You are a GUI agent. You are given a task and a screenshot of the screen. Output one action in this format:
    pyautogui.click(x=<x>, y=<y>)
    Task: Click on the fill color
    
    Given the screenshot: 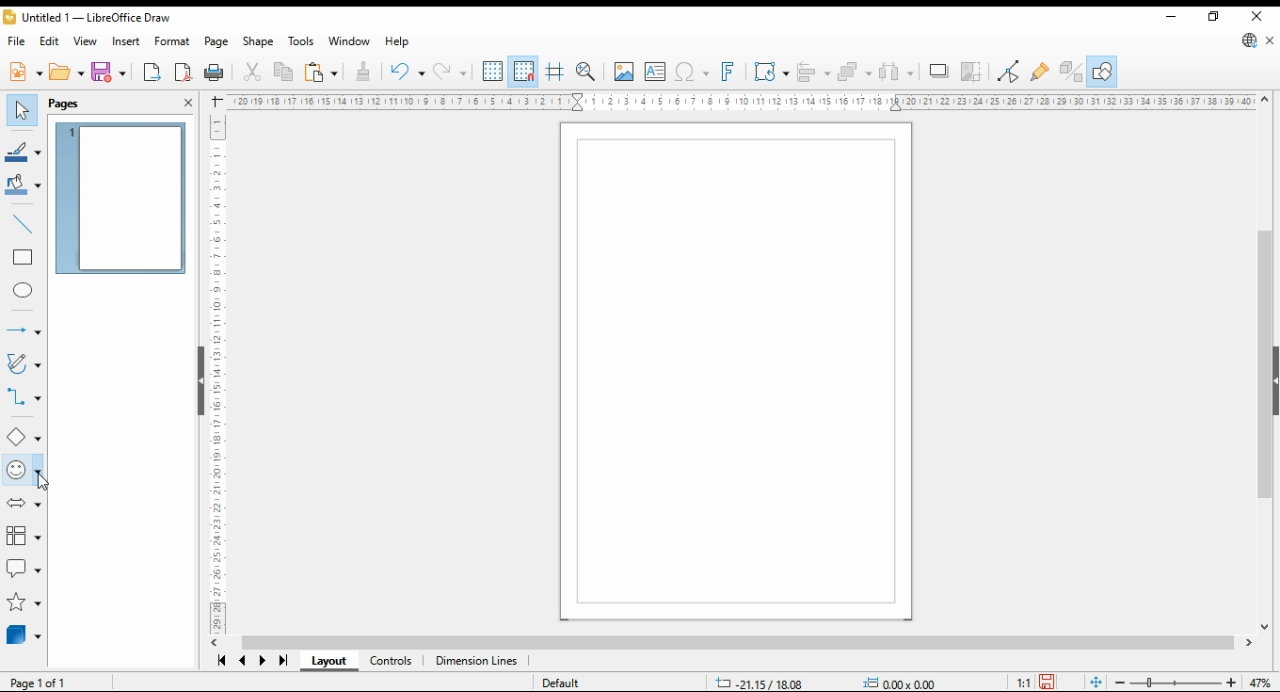 What is the action you would take?
    pyautogui.click(x=24, y=186)
    